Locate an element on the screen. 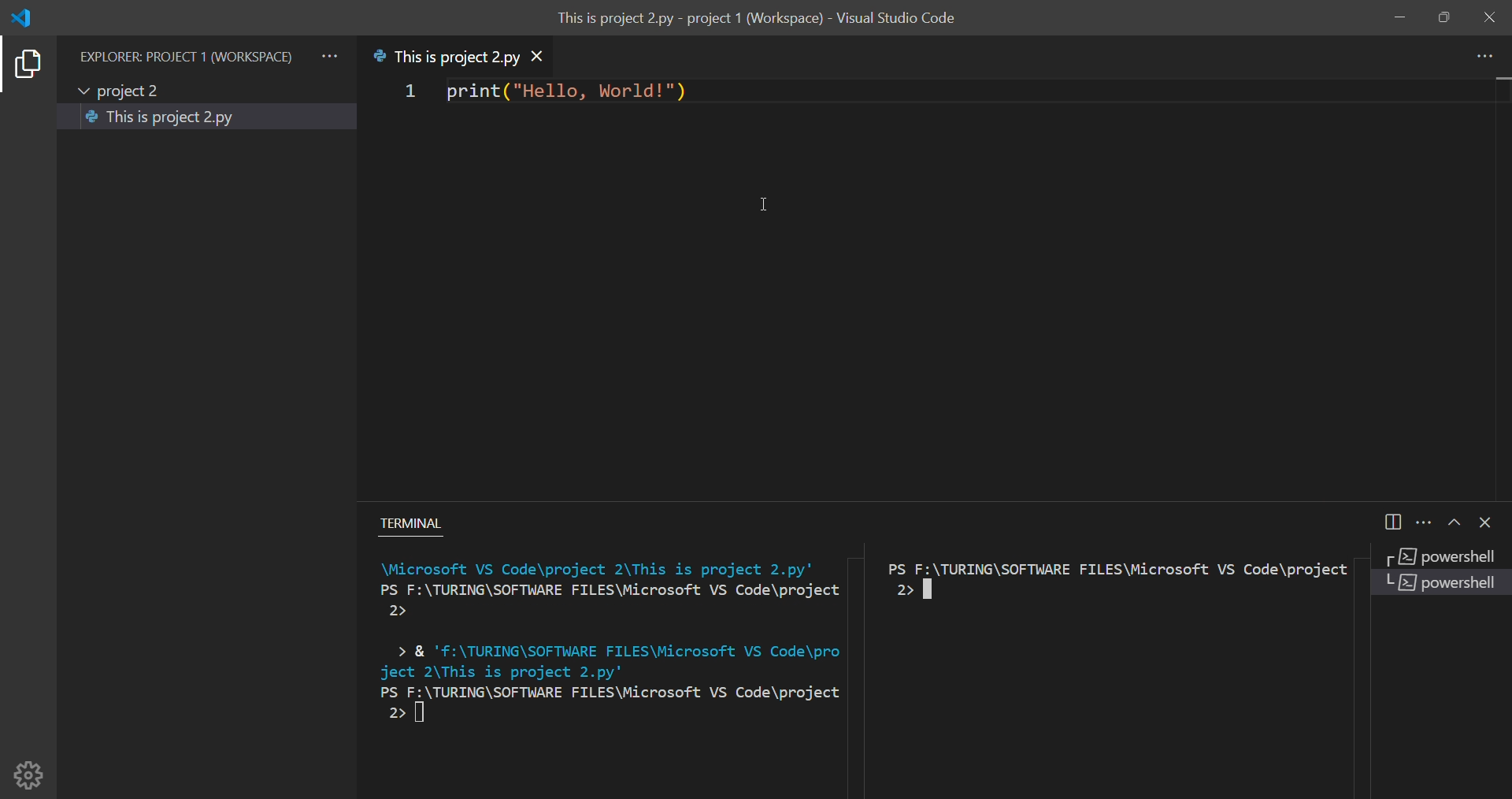 The height and width of the screenshot is (799, 1512). project 2 is located at coordinates (124, 88).